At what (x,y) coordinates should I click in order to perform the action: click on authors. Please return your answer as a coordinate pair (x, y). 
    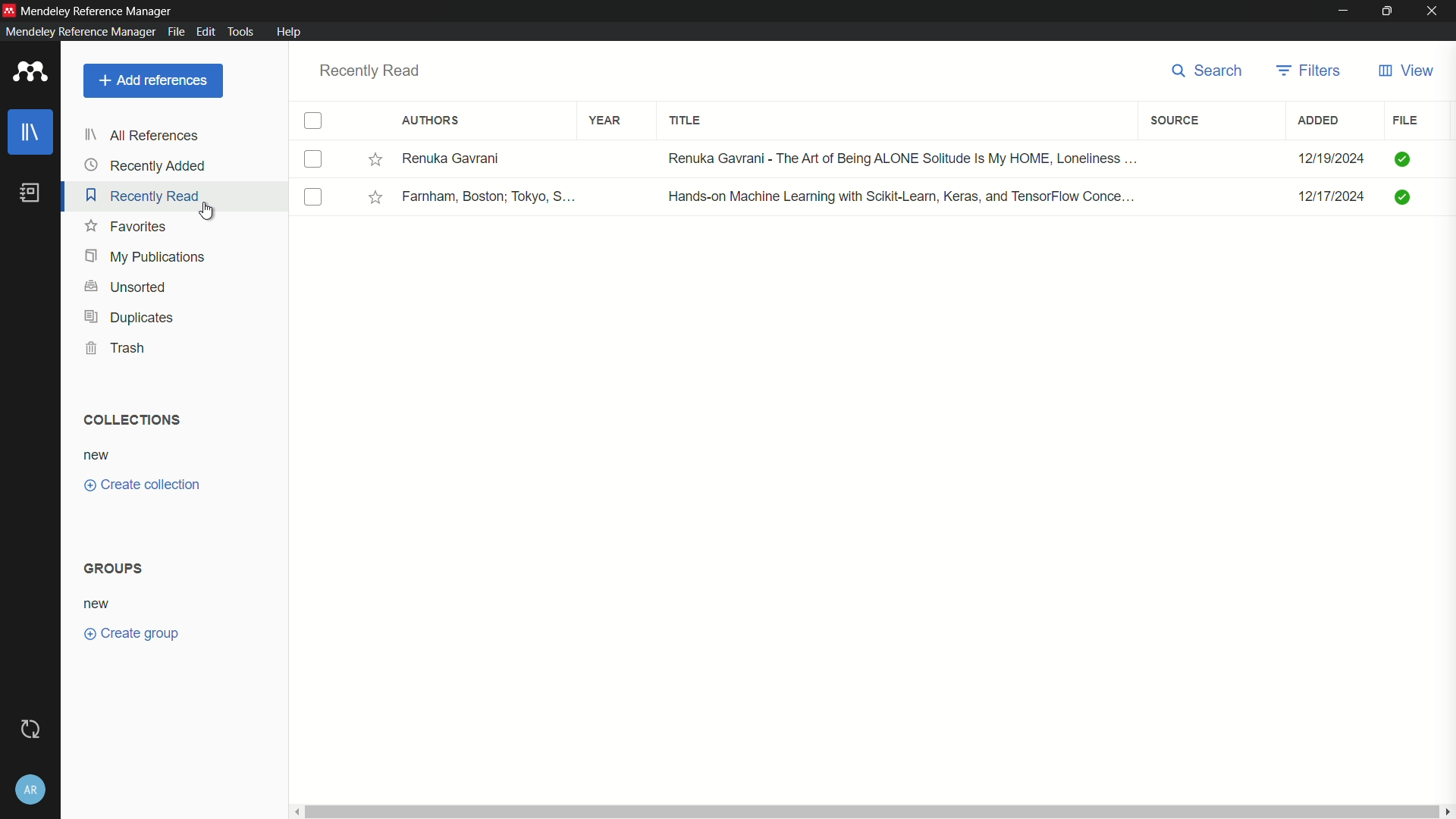
    Looking at the image, I should click on (431, 120).